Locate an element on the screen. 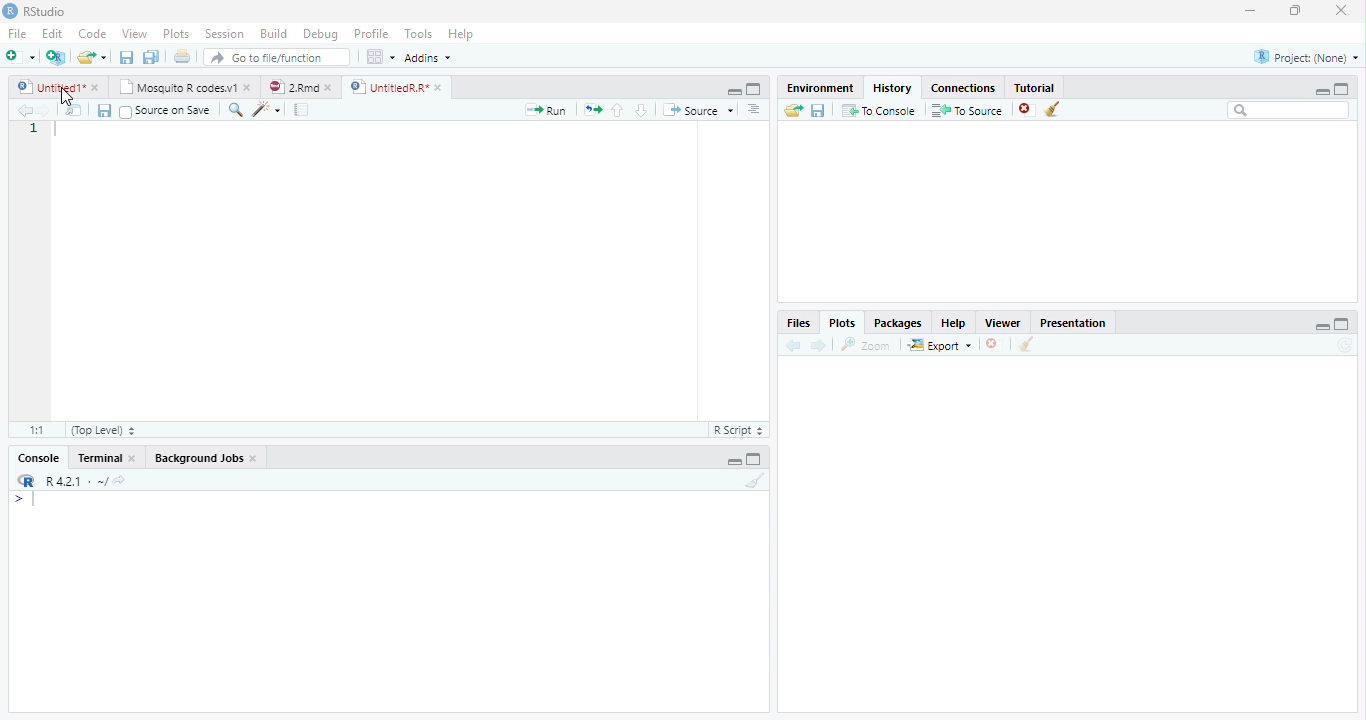  Untitled is located at coordinates (58, 88).